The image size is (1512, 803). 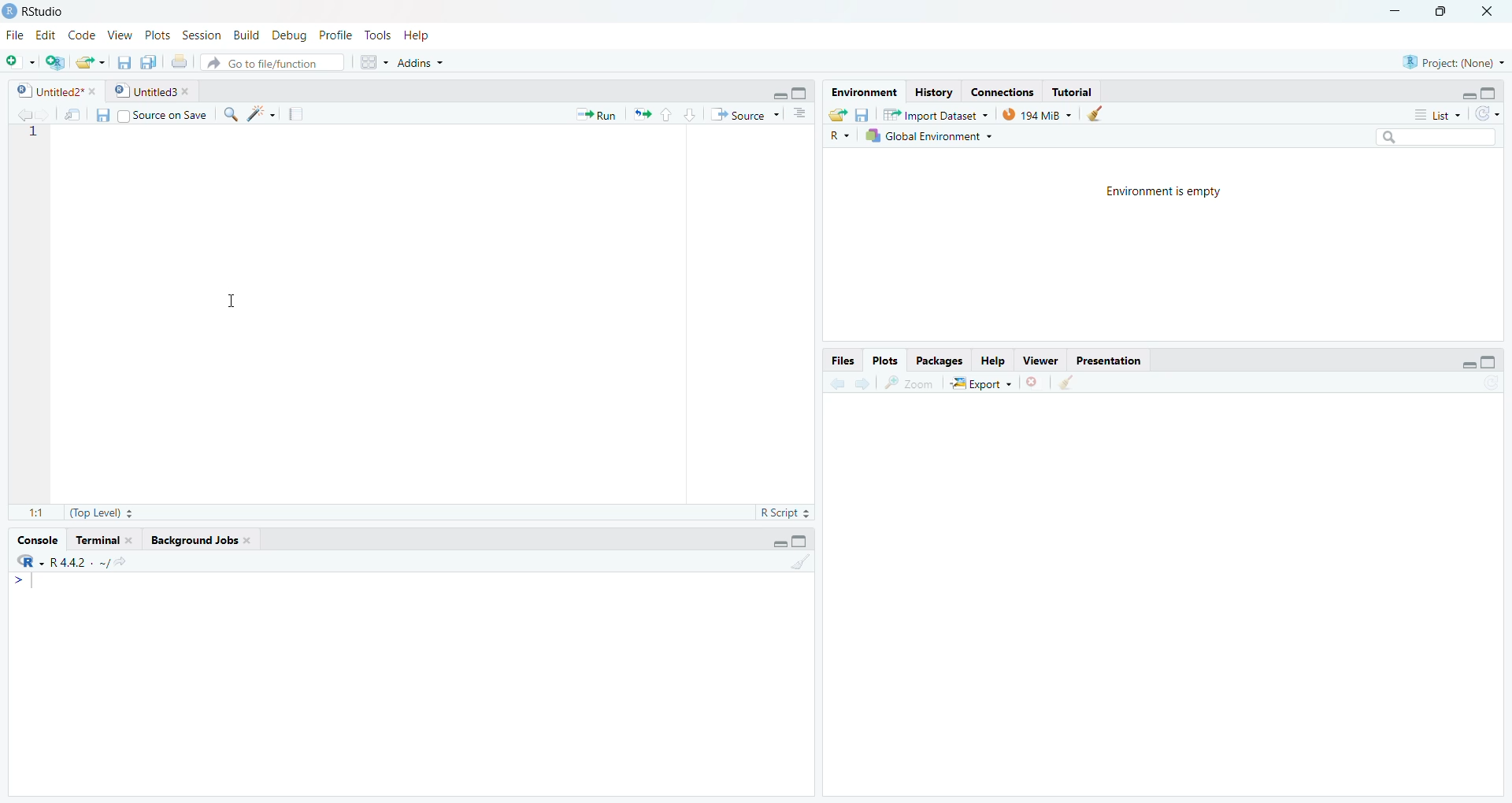 What do you see at coordinates (44, 37) in the screenshot?
I see `Edit` at bounding box center [44, 37].